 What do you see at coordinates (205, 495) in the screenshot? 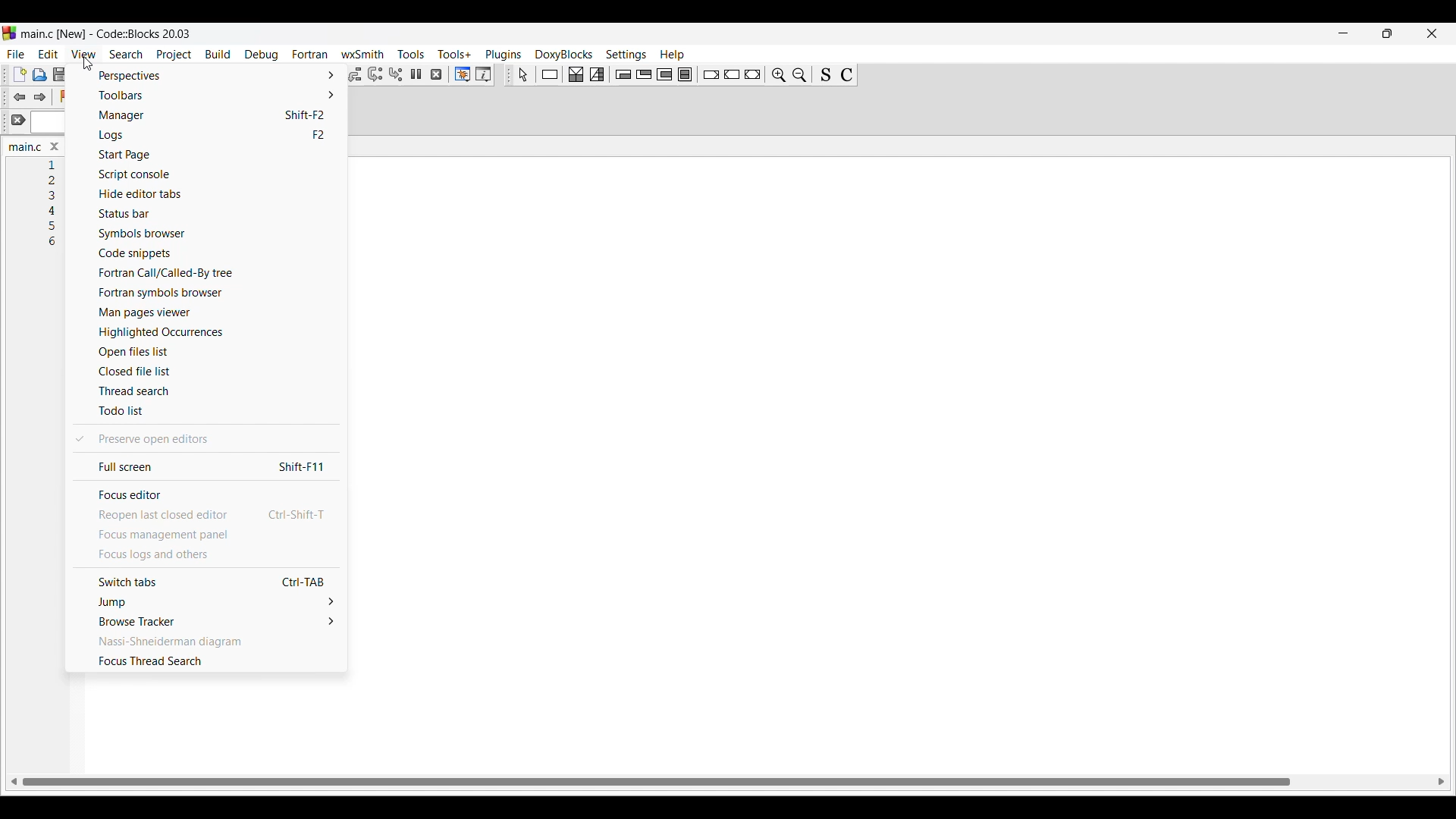
I see `Focus editor` at bounding box center [205, 495].